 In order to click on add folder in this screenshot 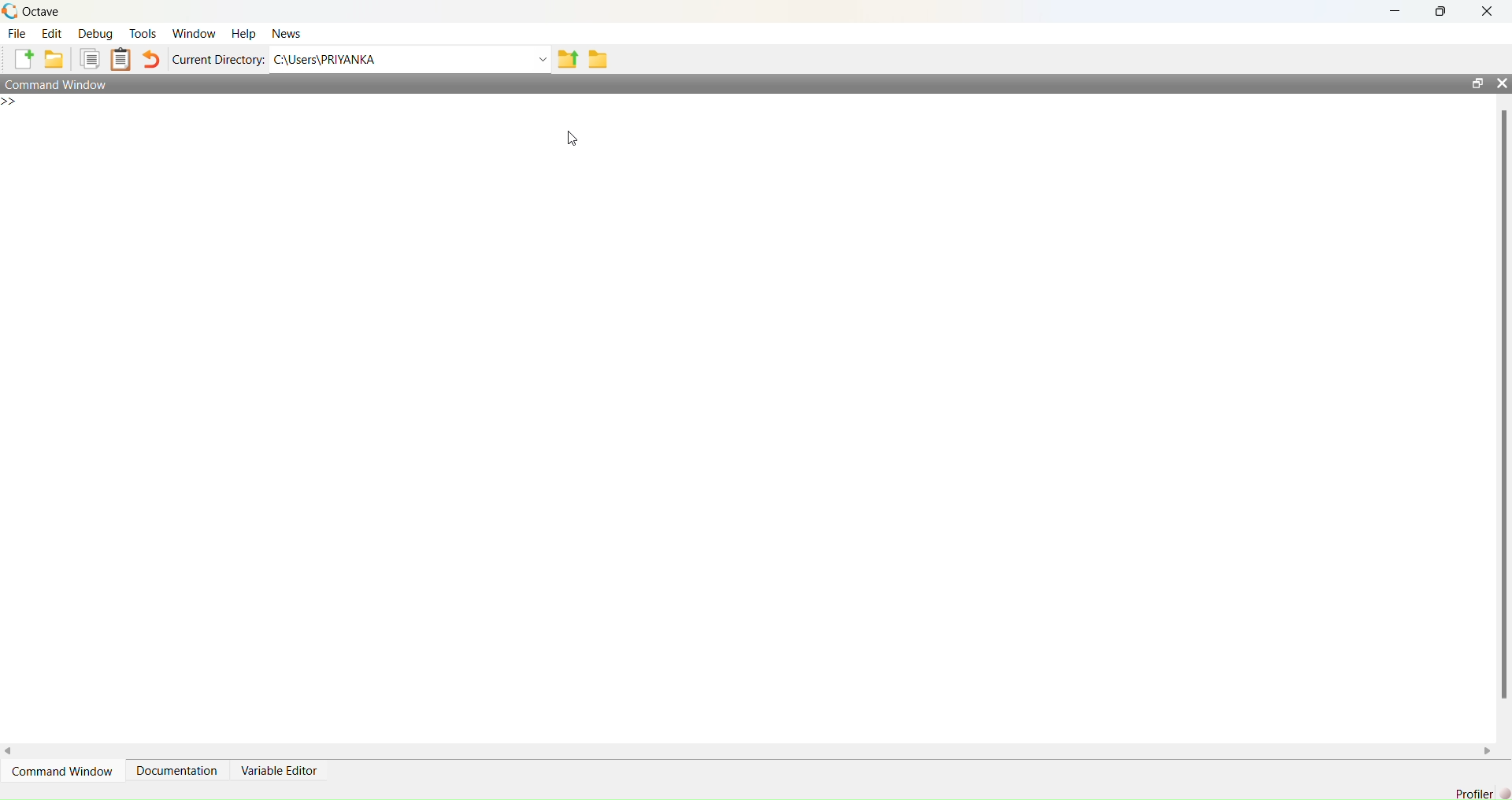, I will do `click(54, 58)`.